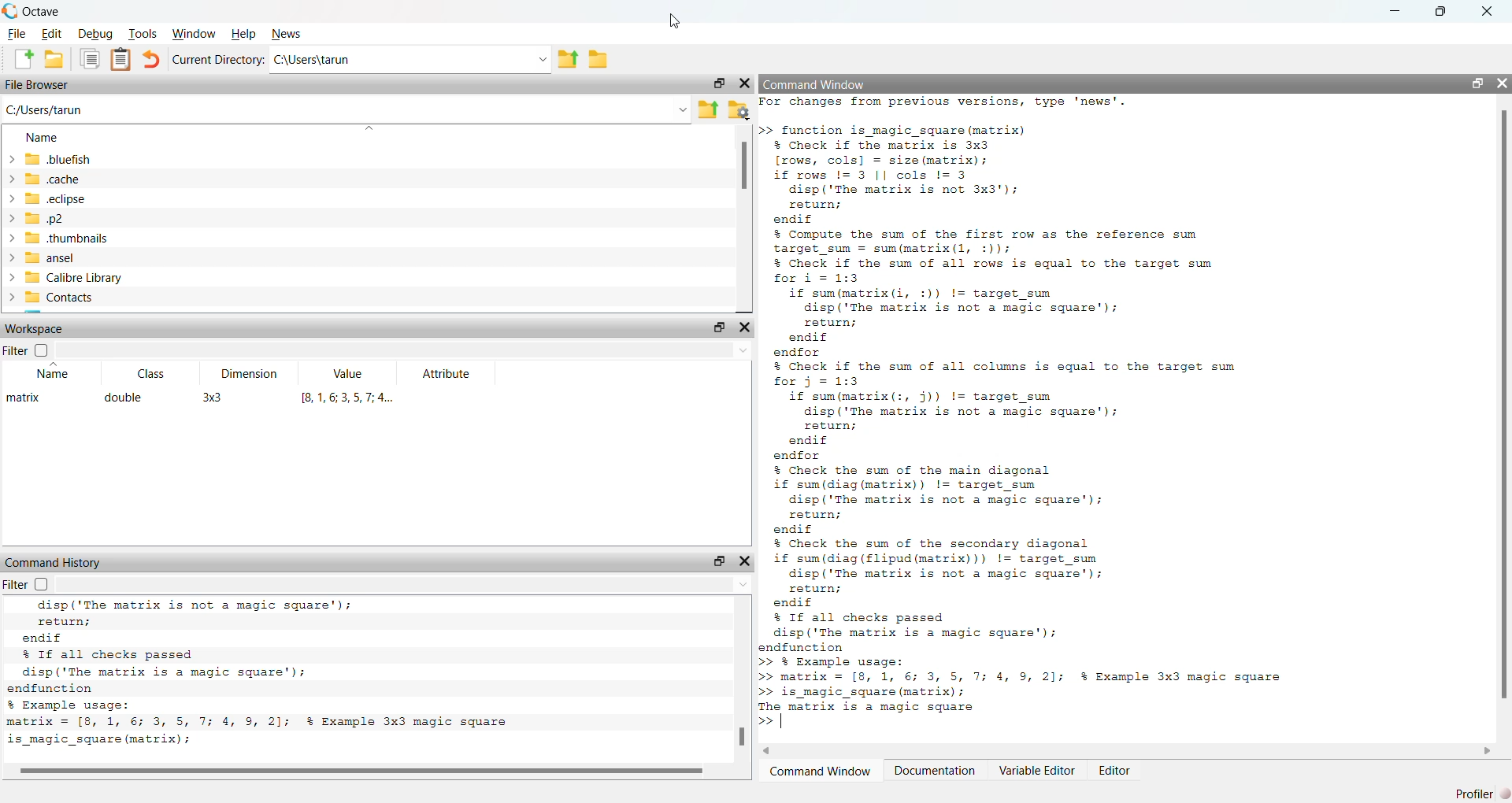 Image resolution: width=1512 pixels, height=803 pixels. What do you see at coordinates (1023, 599) in the screenshot?
I see `% Check the sum of the main diagonal
if sum(diag(matrix)) != target_sum
disp('The matrix is not a magic square’);
return;
endif
% Check the sum of the secondary diagonal
if sum(diag(flipud(matrix))) != target_sum
disp('The matrix is not a magic square’);
return;
endif
$ If all checks passed
disp('The matrix is a magic square’);
endfunction
>> § Example usage:
>> matrix = [8, 1, 6; 3, 5, 7; 4, 9, 2]; 3 Example 3x3 magic square
>> is_magic_square (matrix);
the matrix is a magic square
>>` at bounding box center [1023, 599].